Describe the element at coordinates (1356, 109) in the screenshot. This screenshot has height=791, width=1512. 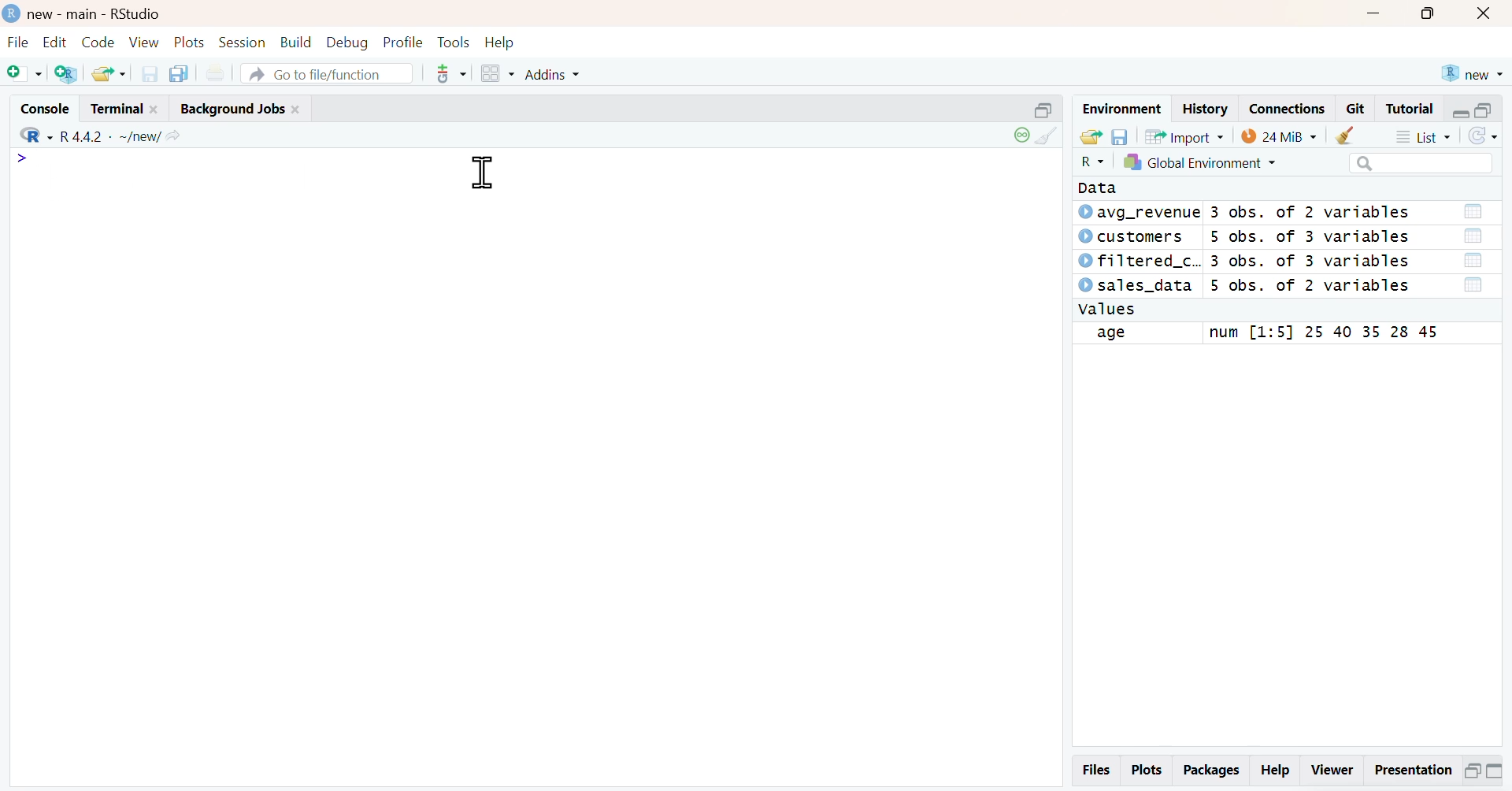
I see `Git` at that location.